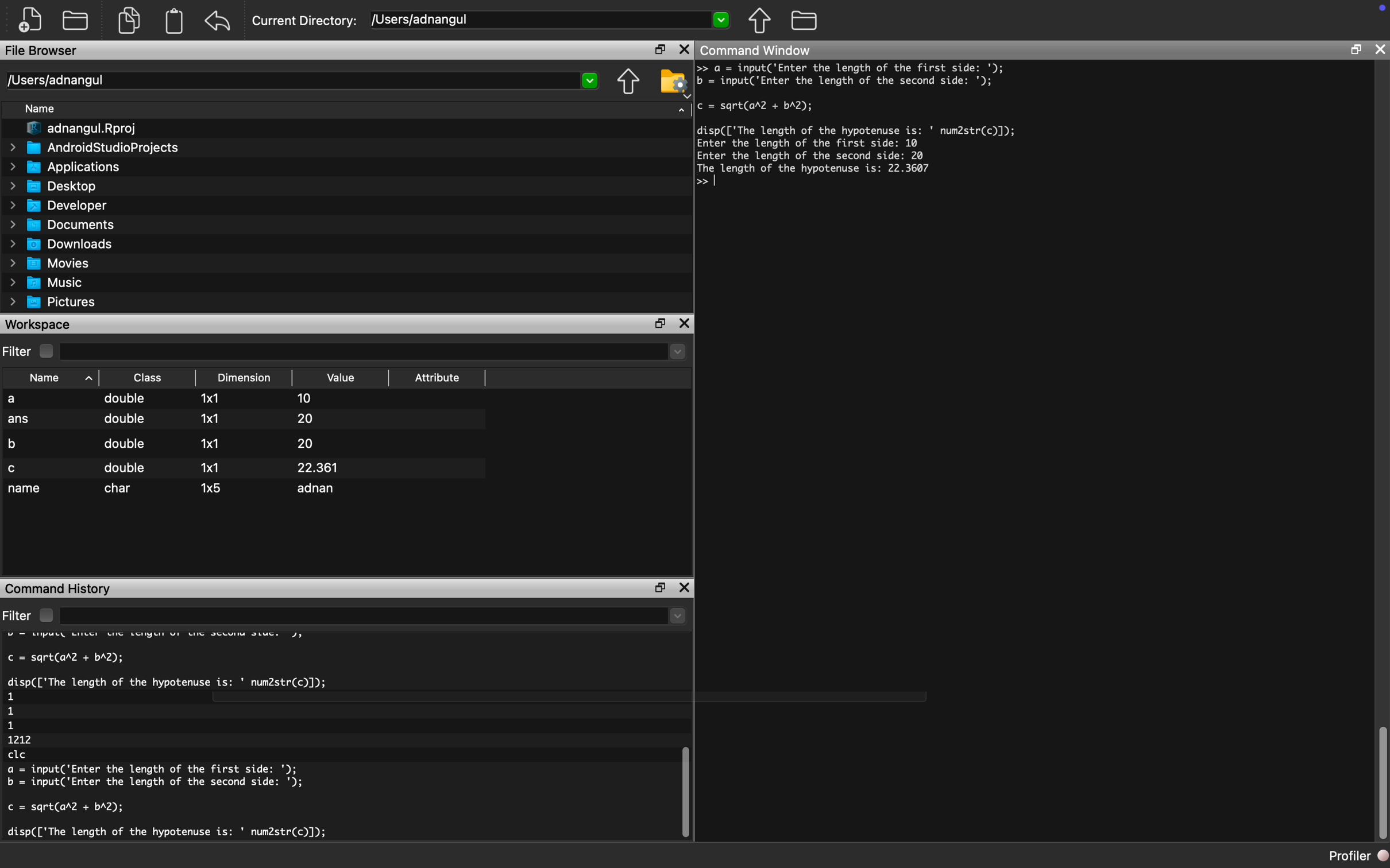 This screenshot has width=1390, height=868. What do you see at coordinates (172, 22) in the screenshot?
I see `document clipboard` at bounding box center [172, 22].